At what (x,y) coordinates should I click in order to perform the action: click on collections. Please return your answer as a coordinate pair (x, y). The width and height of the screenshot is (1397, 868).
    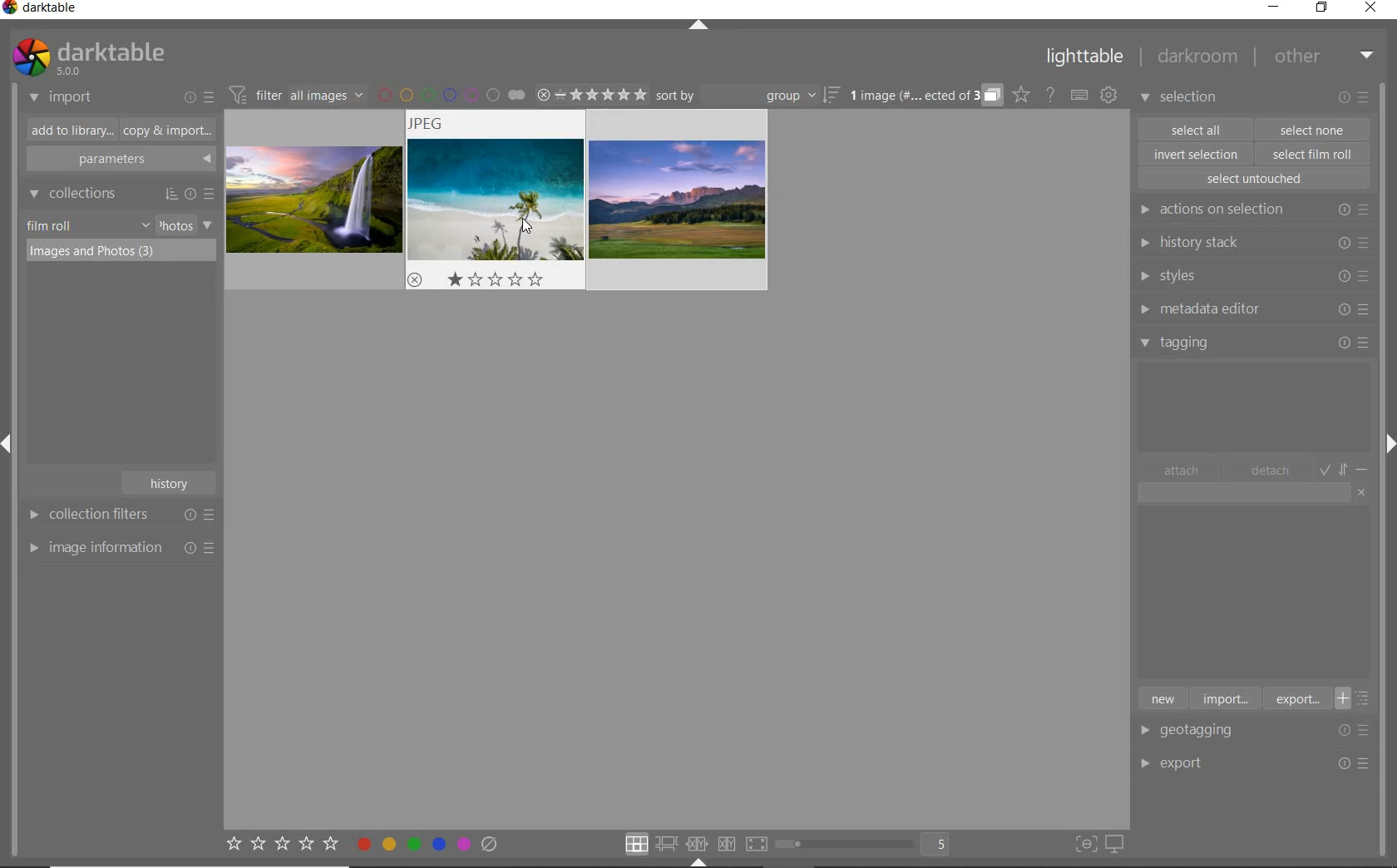
    Looking at the image, I should click on (119, 194).